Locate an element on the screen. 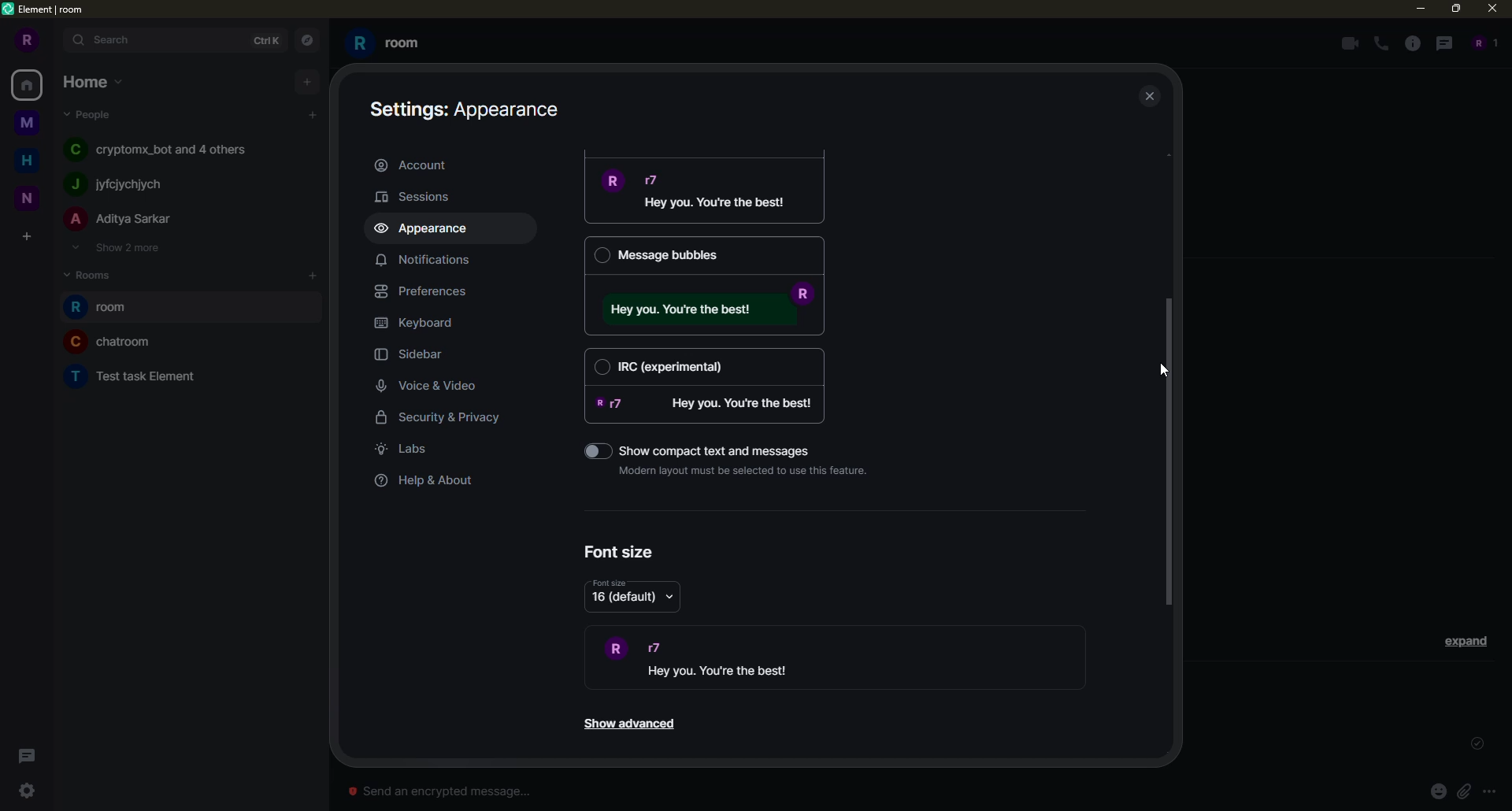 Image resolution: width=1512 pixels, height=811 pixels. attach is located at coordinates (1463, 791).